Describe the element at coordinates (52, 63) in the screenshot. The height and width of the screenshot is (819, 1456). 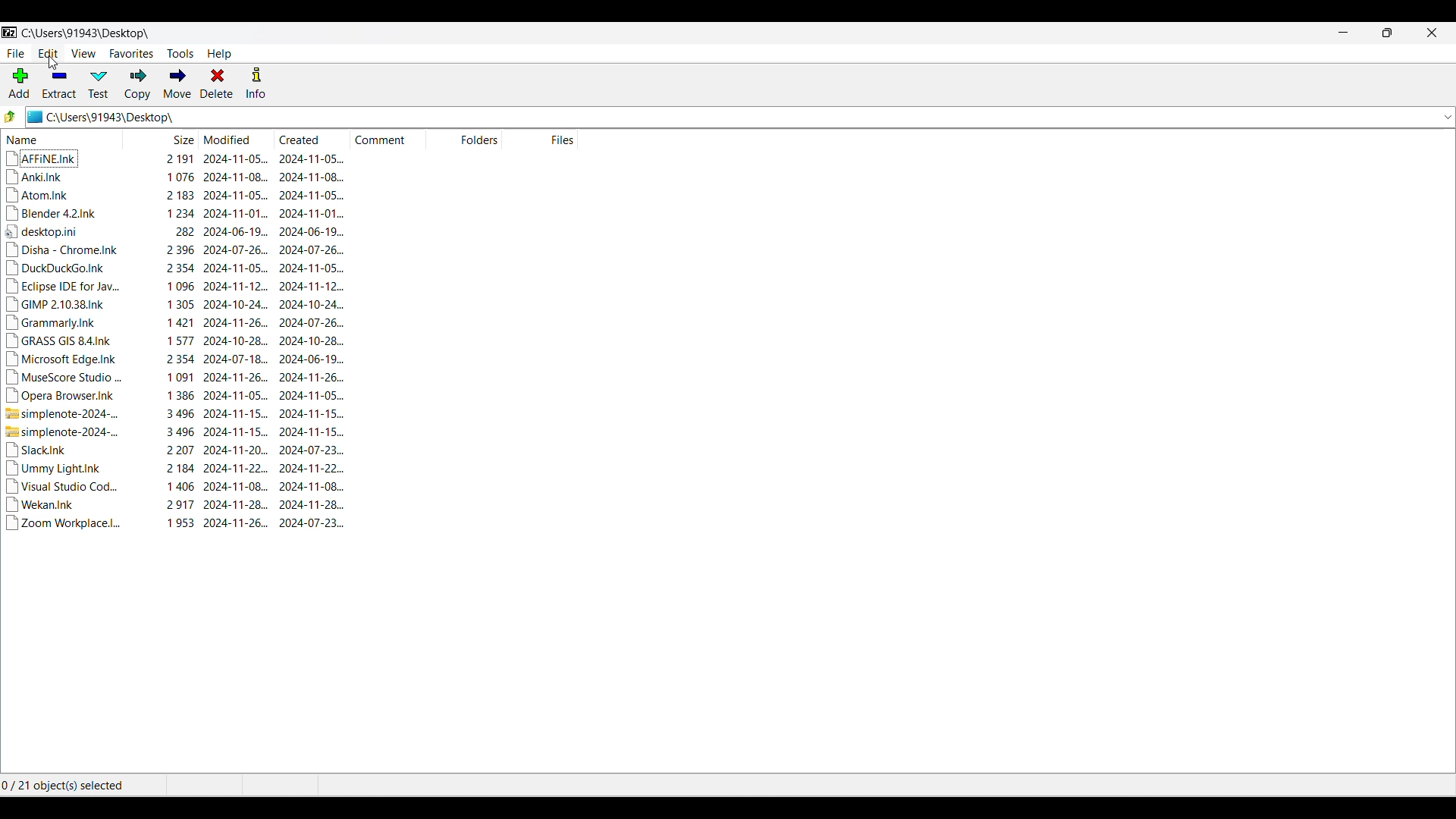
I see `cursor` at that location.